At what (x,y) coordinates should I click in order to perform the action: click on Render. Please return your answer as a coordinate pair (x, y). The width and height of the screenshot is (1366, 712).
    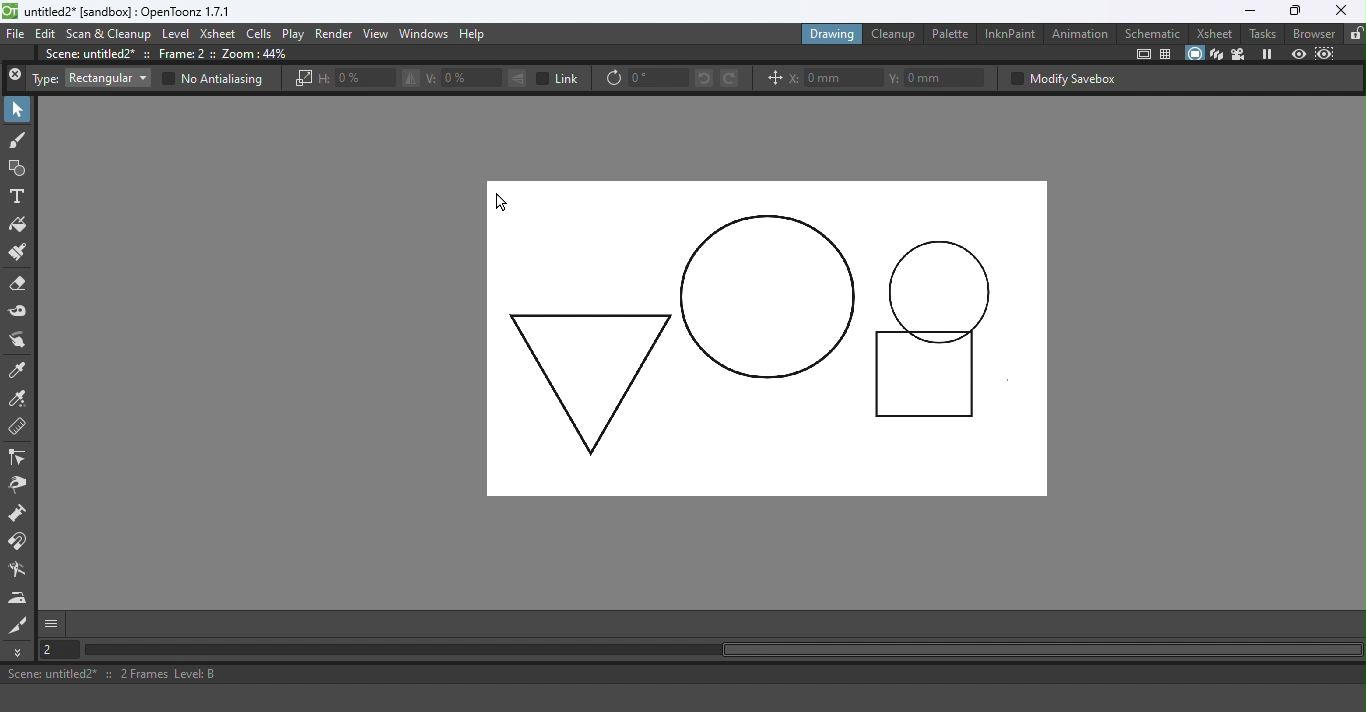
    Looking at the image, I should click on (335, 33).